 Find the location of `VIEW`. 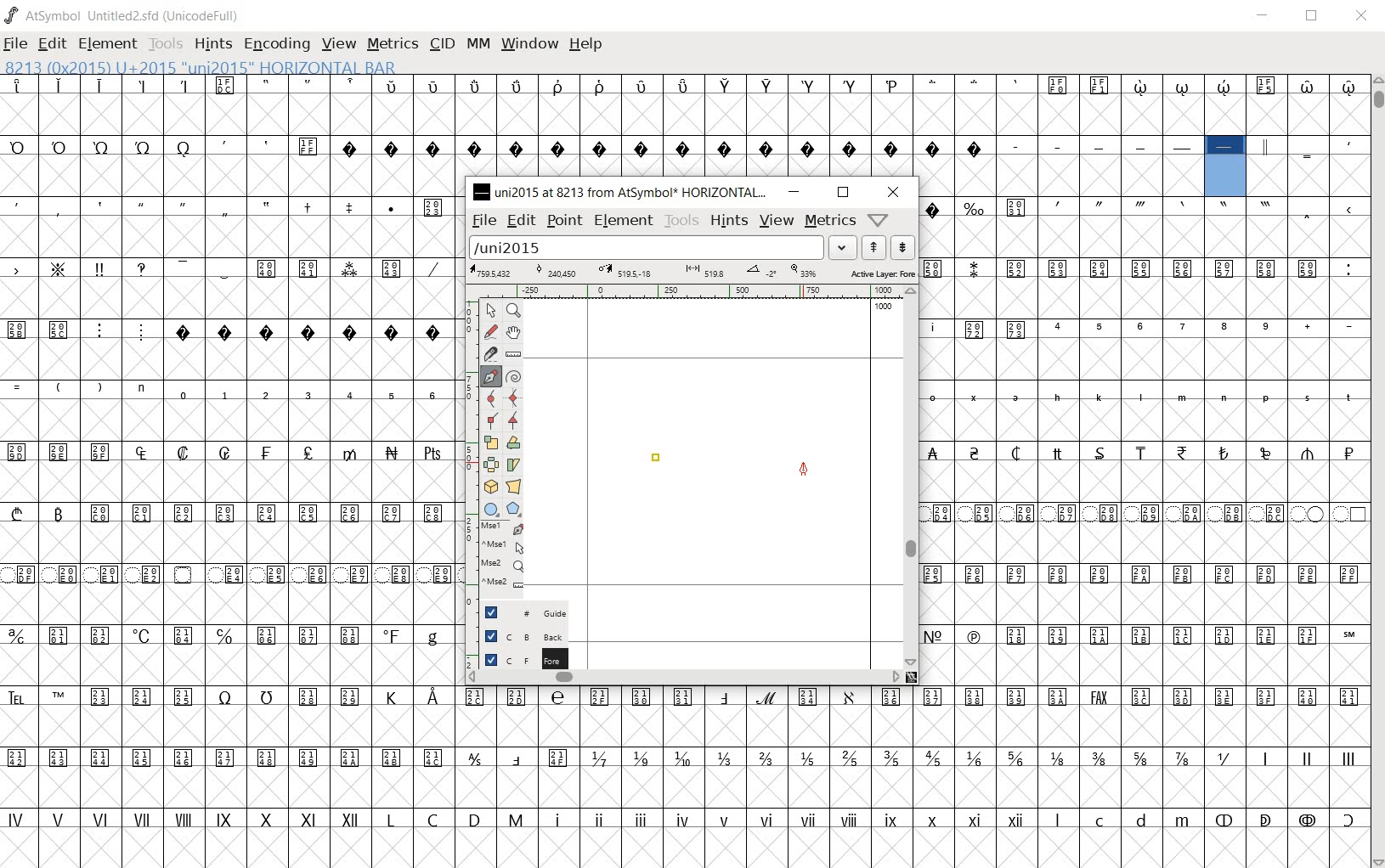

VIEW is located at coordinates (339, 45).